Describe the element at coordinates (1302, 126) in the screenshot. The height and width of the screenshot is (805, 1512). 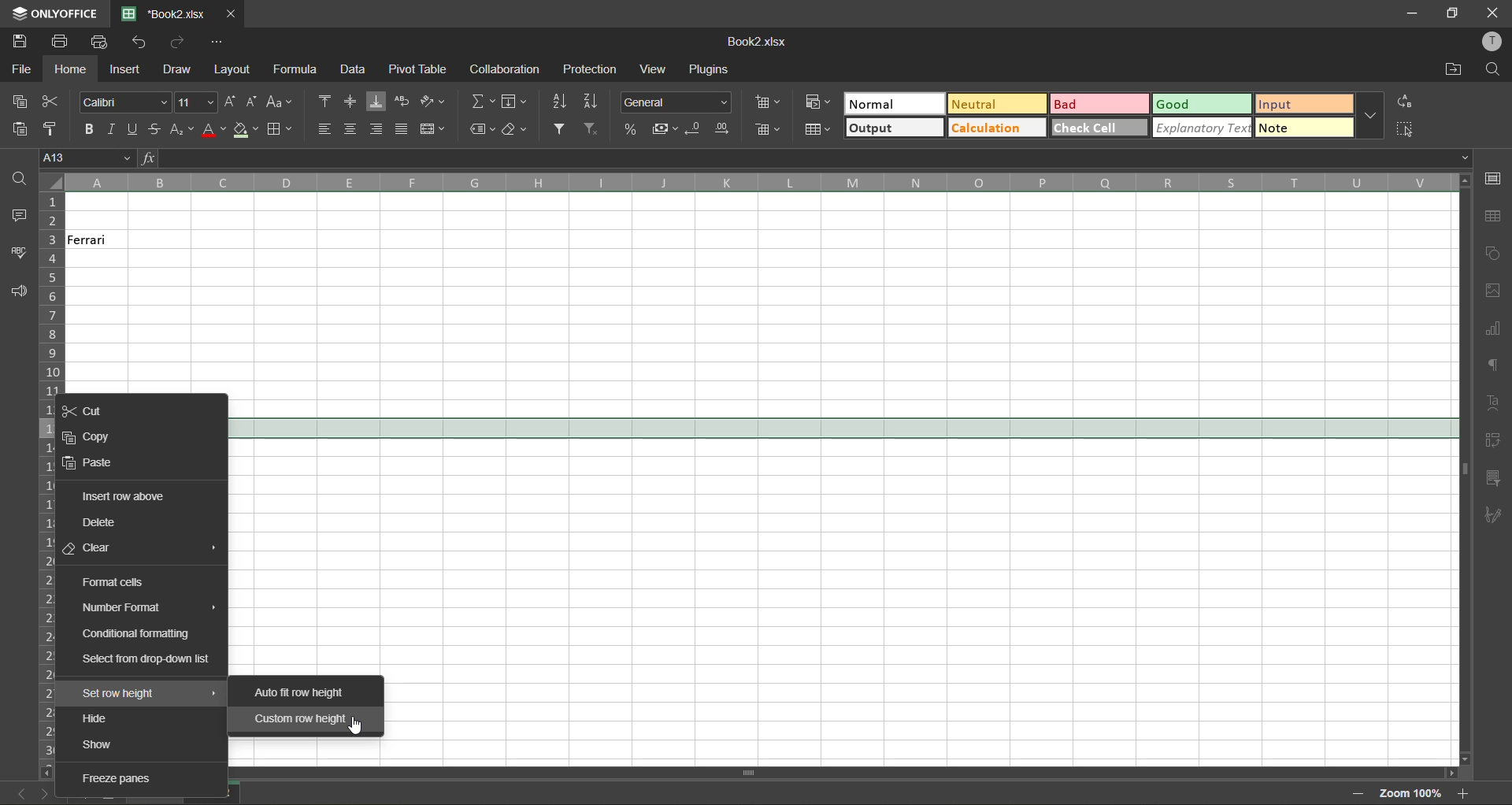
I see `note` at that location.